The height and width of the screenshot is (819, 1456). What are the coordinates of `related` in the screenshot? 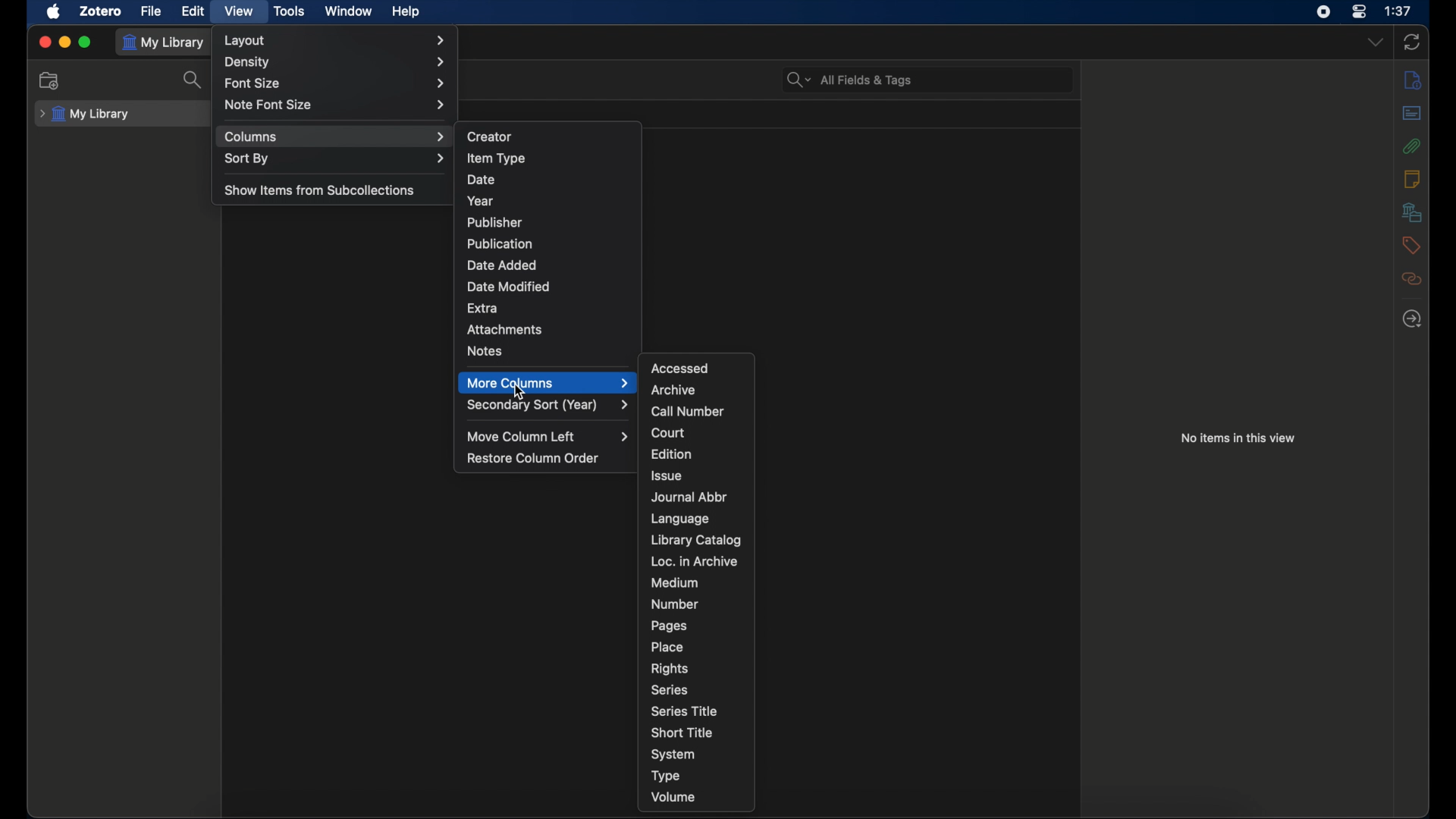 It's located at (1414, 278).